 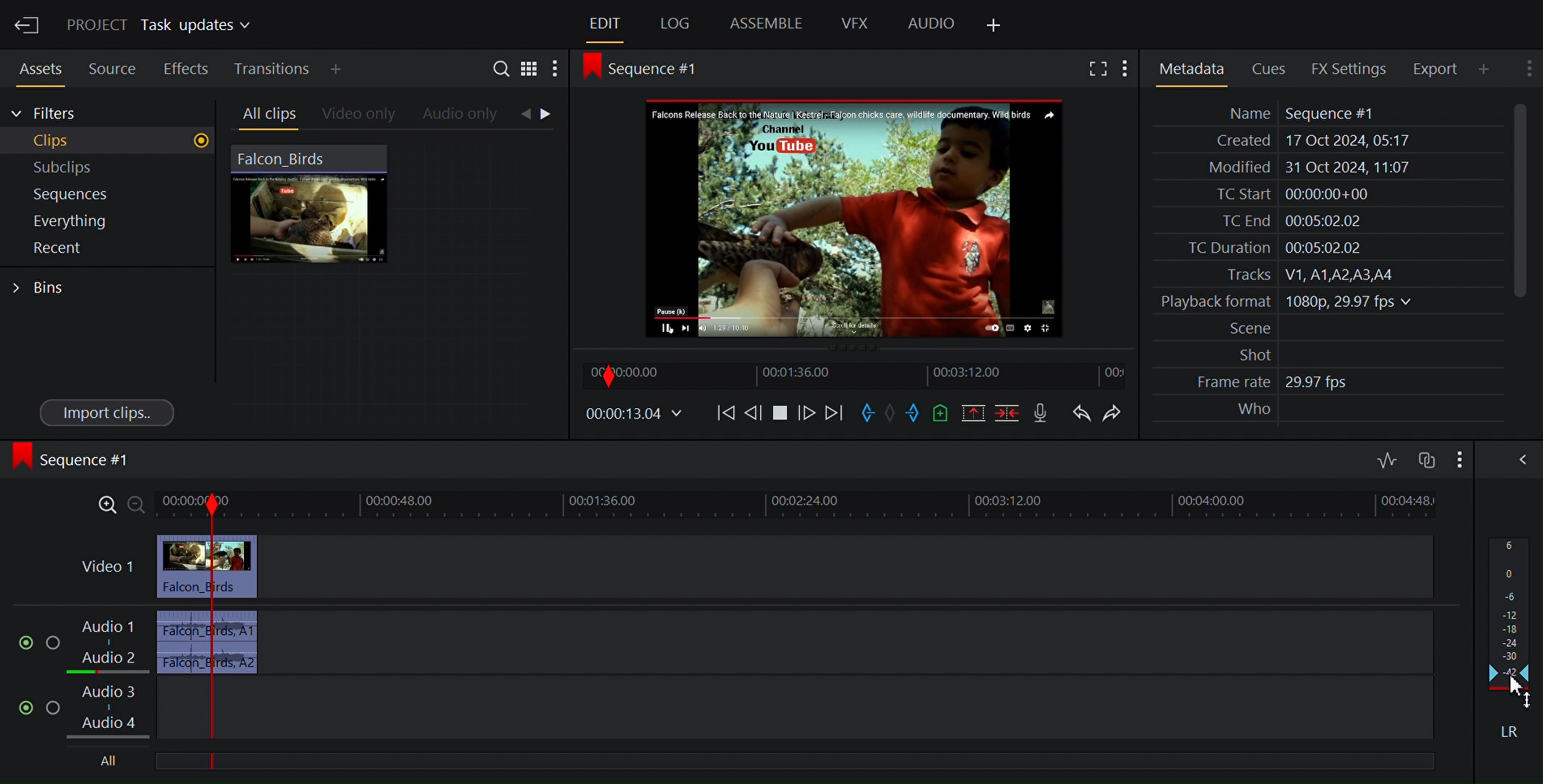 What do you see at coordinates (1527, 70) in the screenshot?
I see `Show settings menu` at bounding box center [1527, 70].